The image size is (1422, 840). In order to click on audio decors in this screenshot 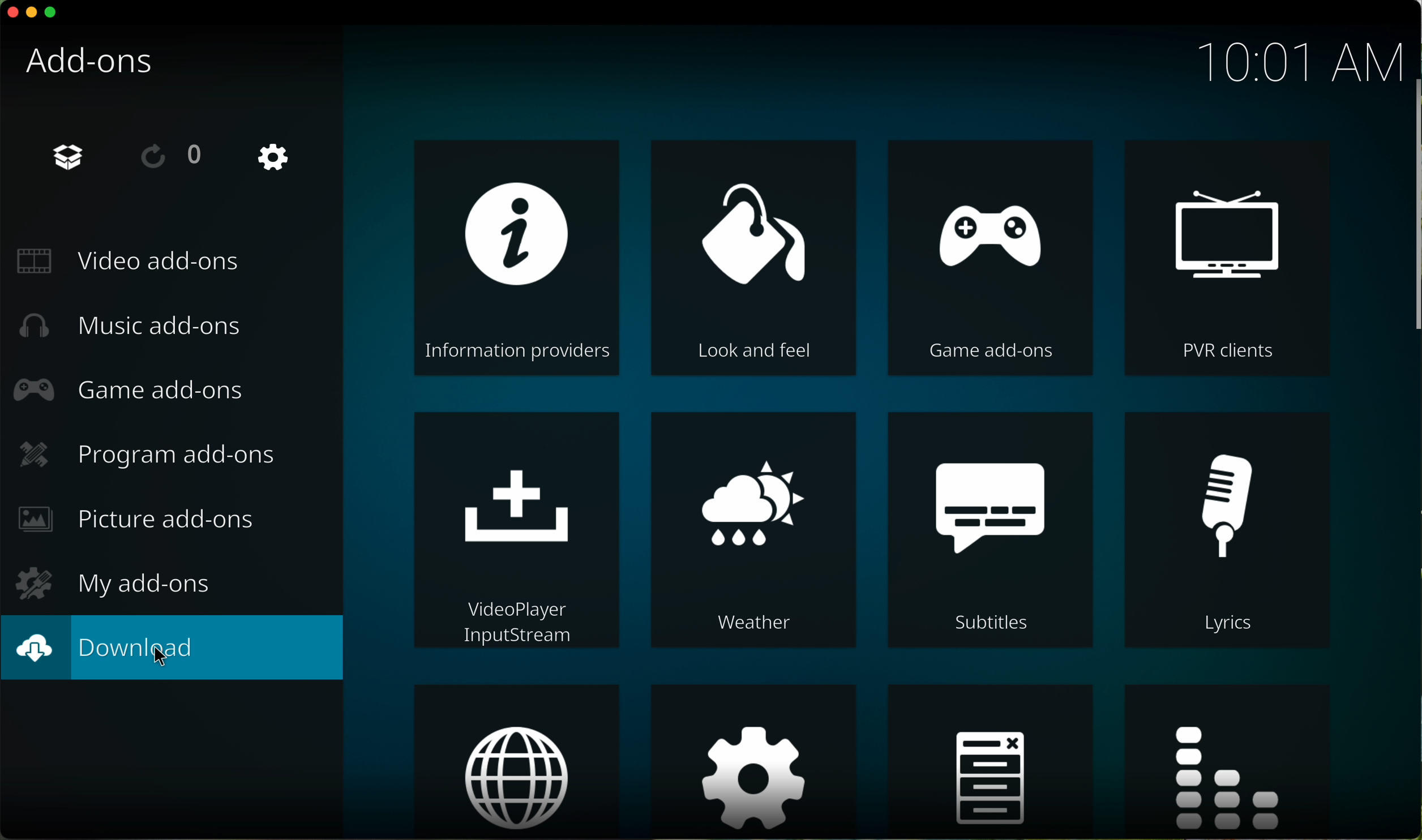, I will do `click(1232, 763)`.